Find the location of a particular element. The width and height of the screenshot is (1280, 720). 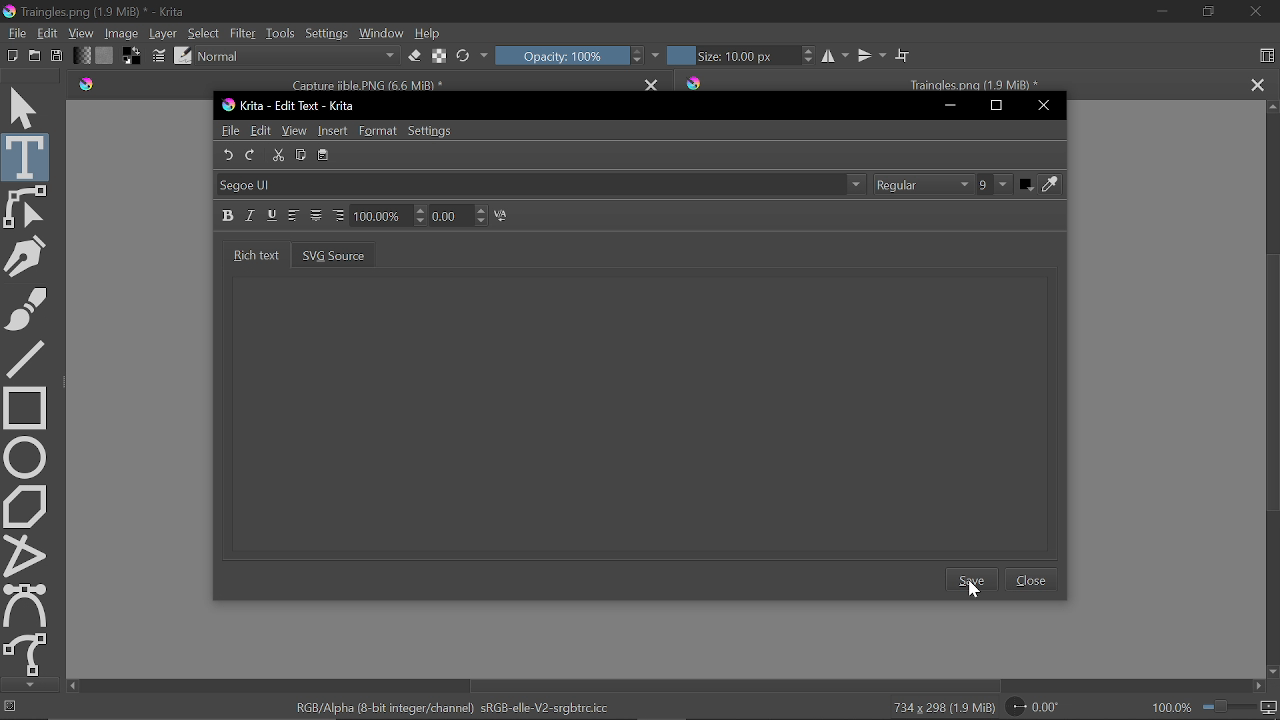

9 is located at coordinates (994, 186).